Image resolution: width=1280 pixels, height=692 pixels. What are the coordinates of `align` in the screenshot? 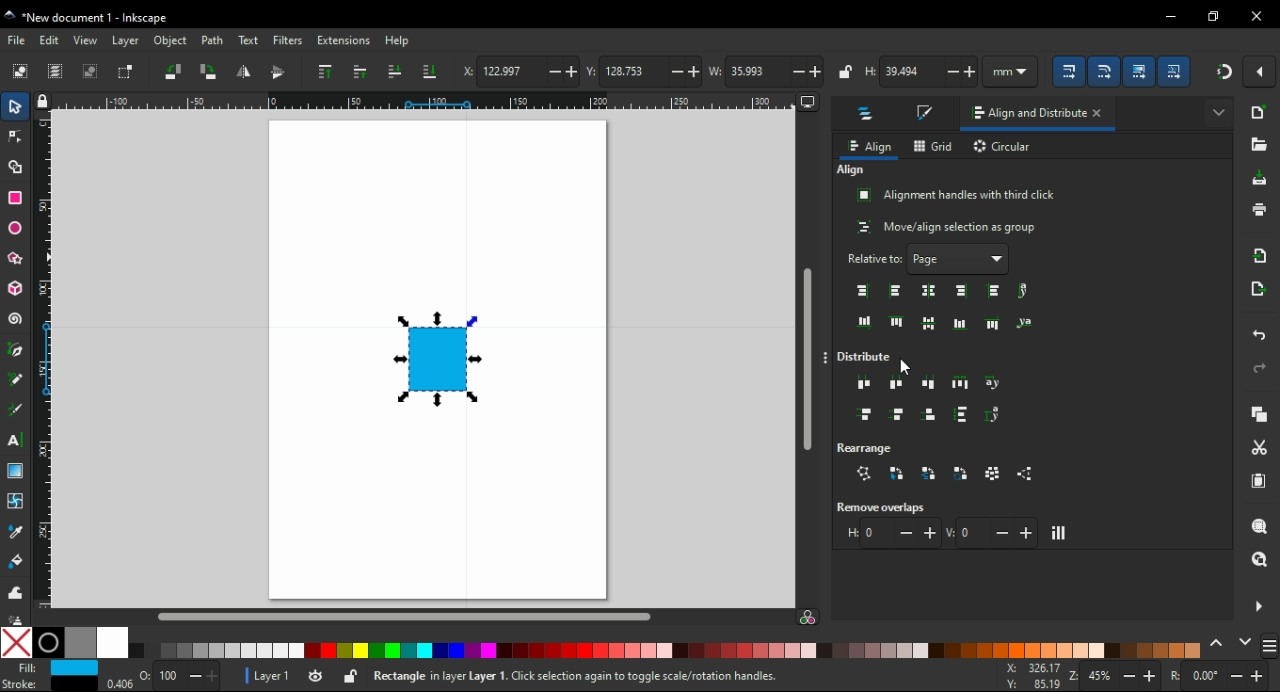 It's located at (869, 147).